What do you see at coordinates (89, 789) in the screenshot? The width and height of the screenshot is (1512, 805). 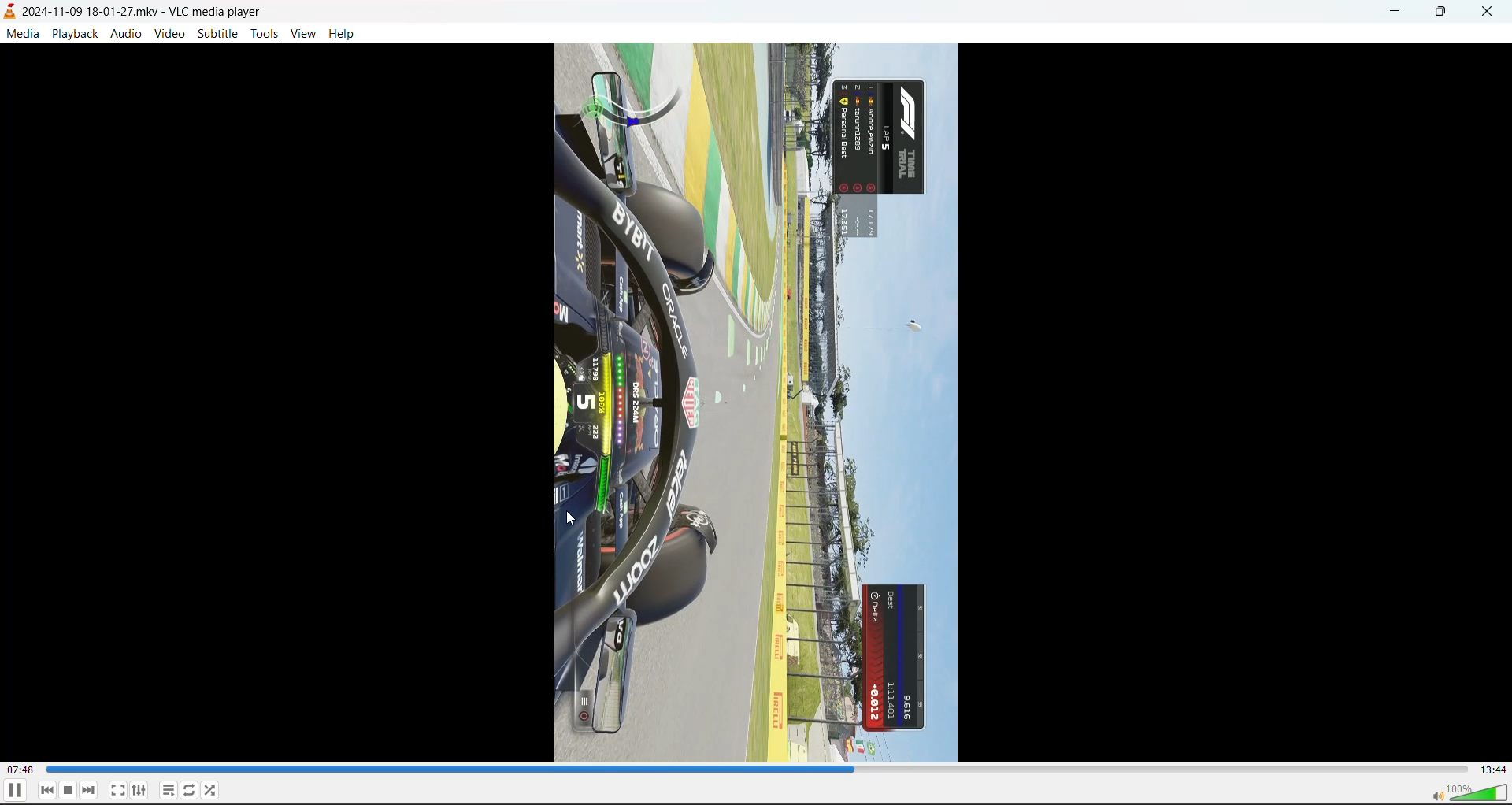 I see `next` at bounding box center [89, 789].